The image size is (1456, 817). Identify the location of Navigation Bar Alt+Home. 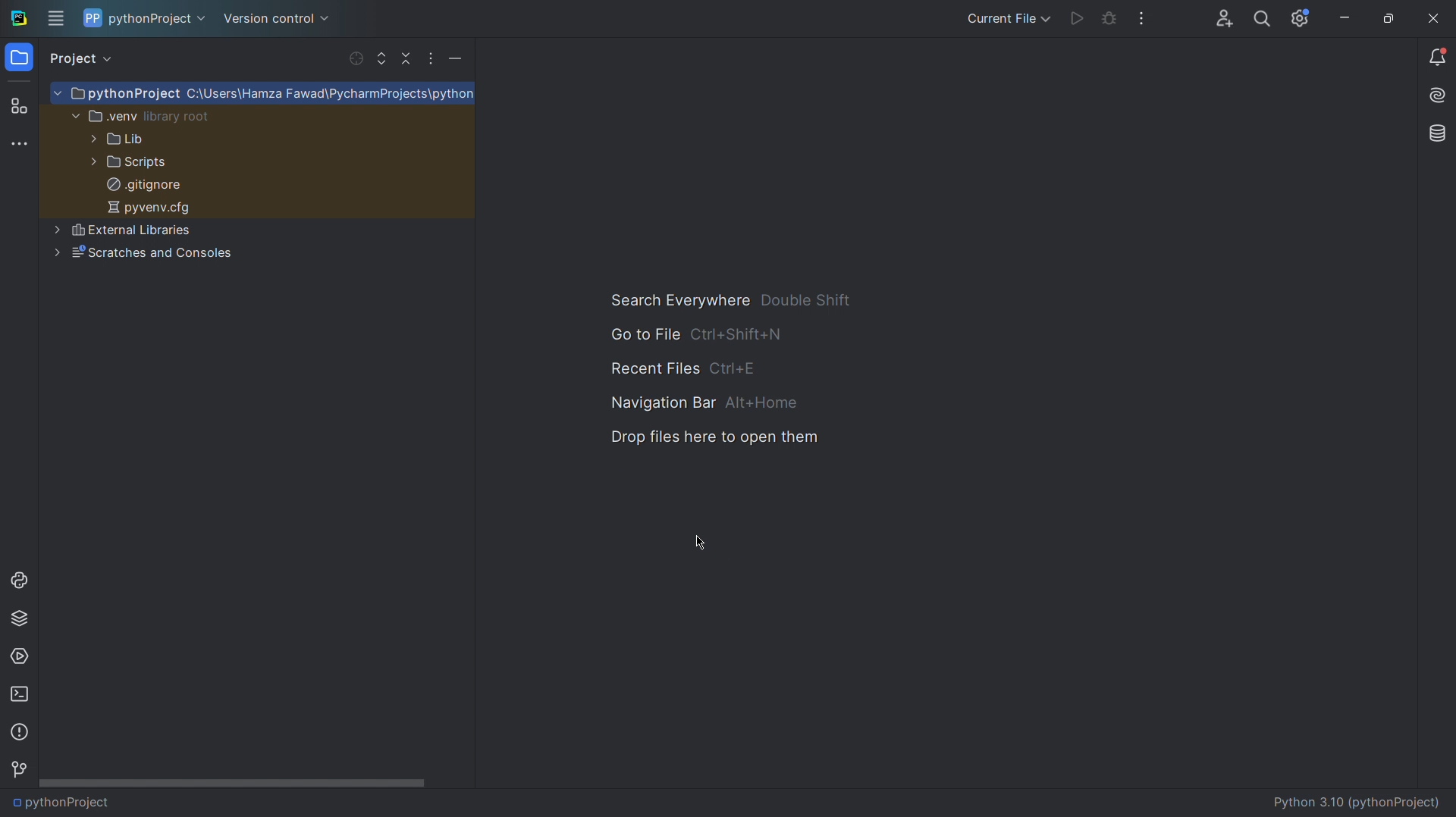
(724, 403).